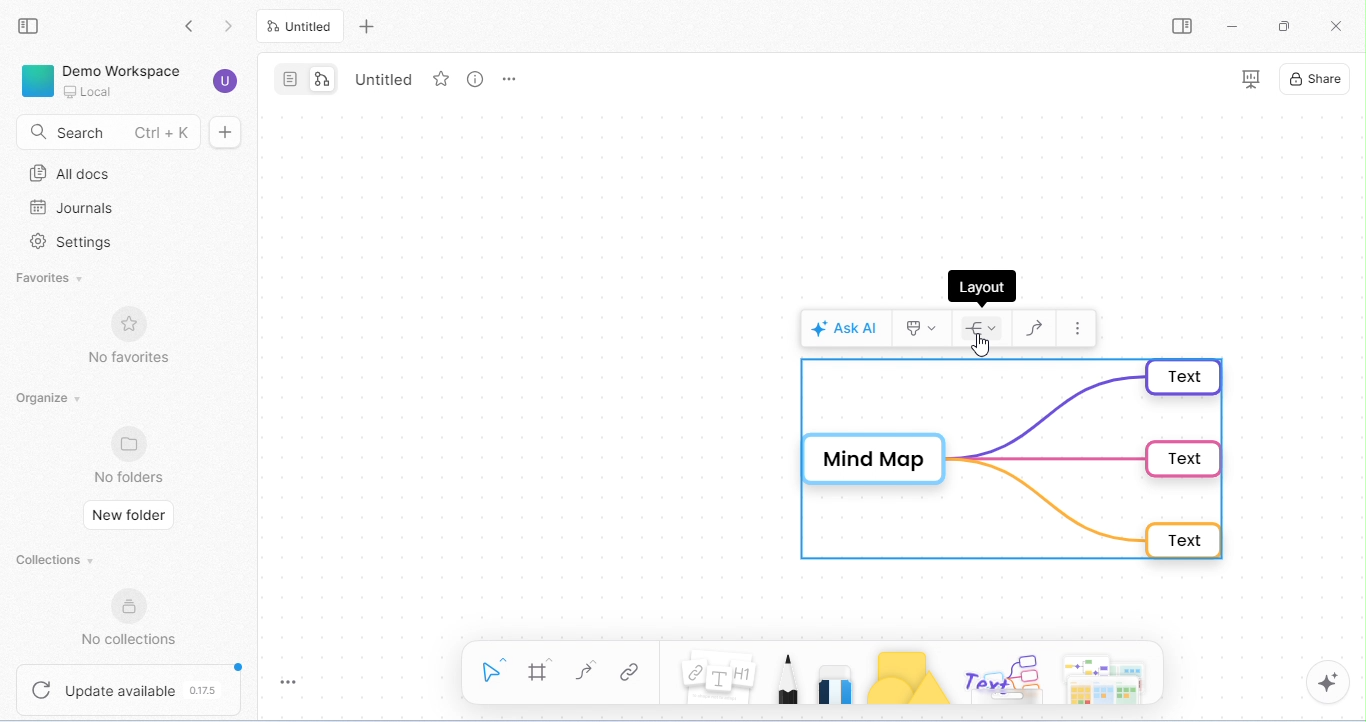 This screenshot has width=1366, height=722. I want to click on add new tab, so click(368, 25).